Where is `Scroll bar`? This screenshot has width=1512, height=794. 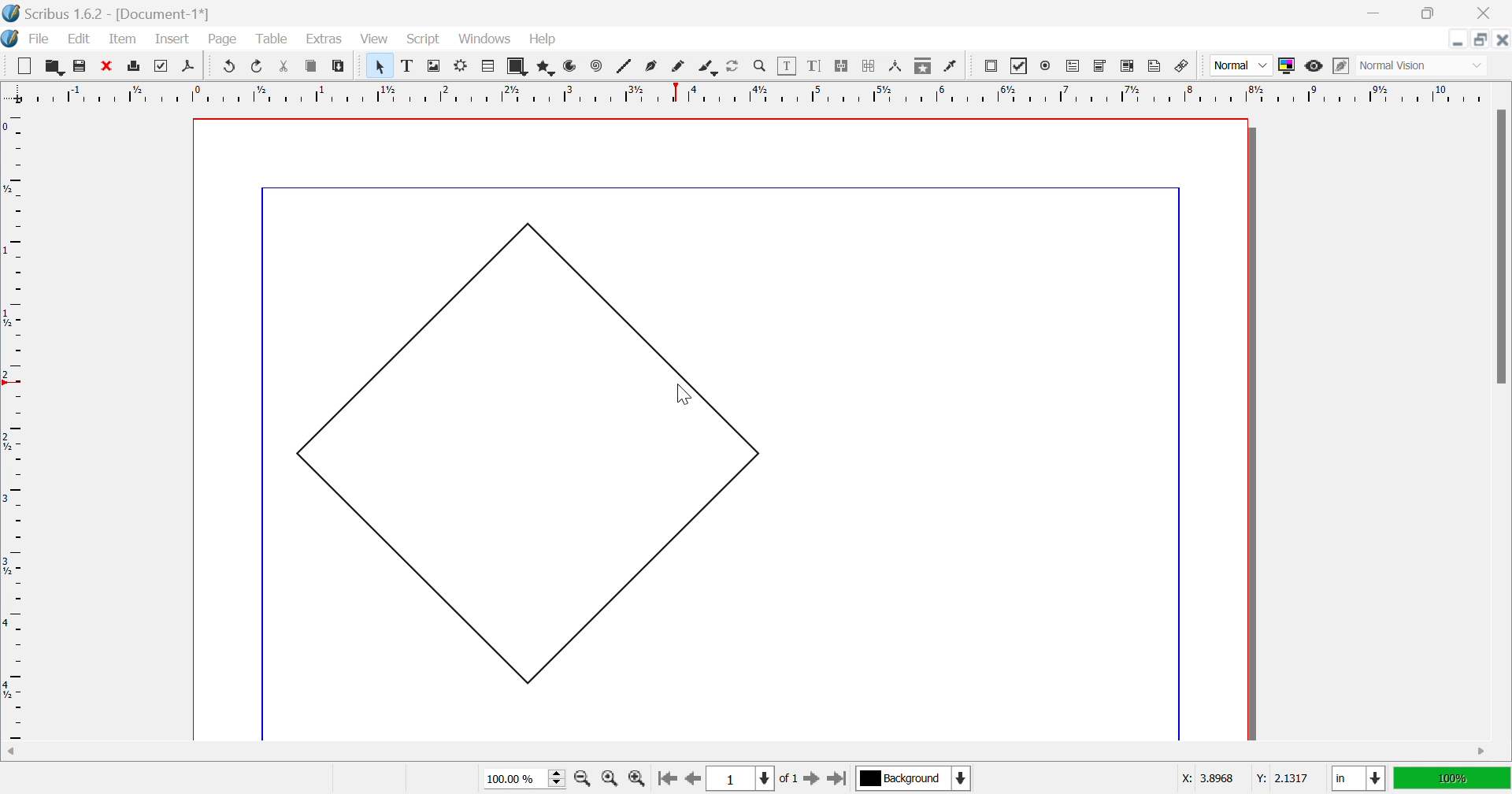
Scroll bar is located at coordinates (1500, 246).